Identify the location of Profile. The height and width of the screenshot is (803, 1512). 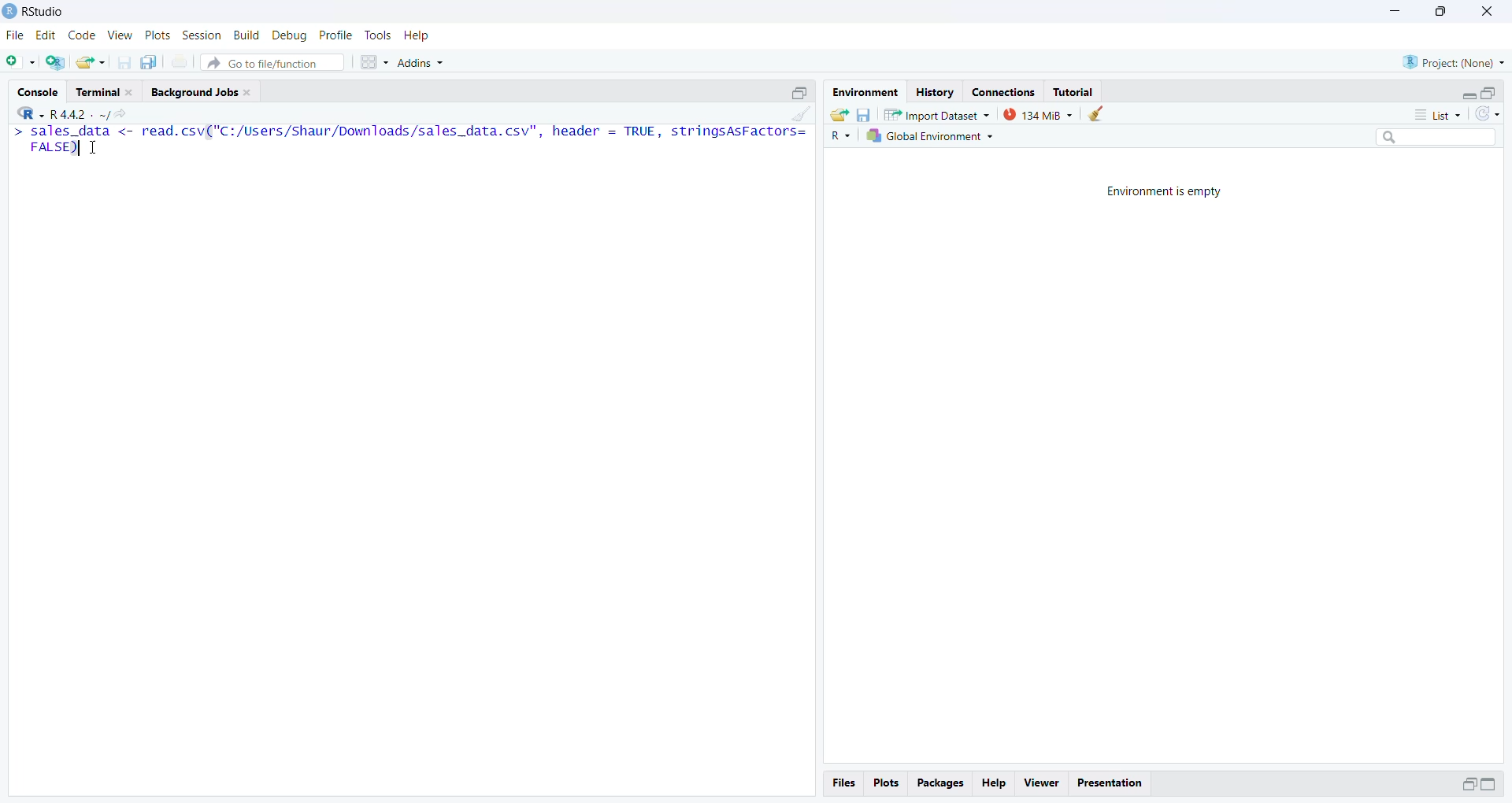
(337, 37).